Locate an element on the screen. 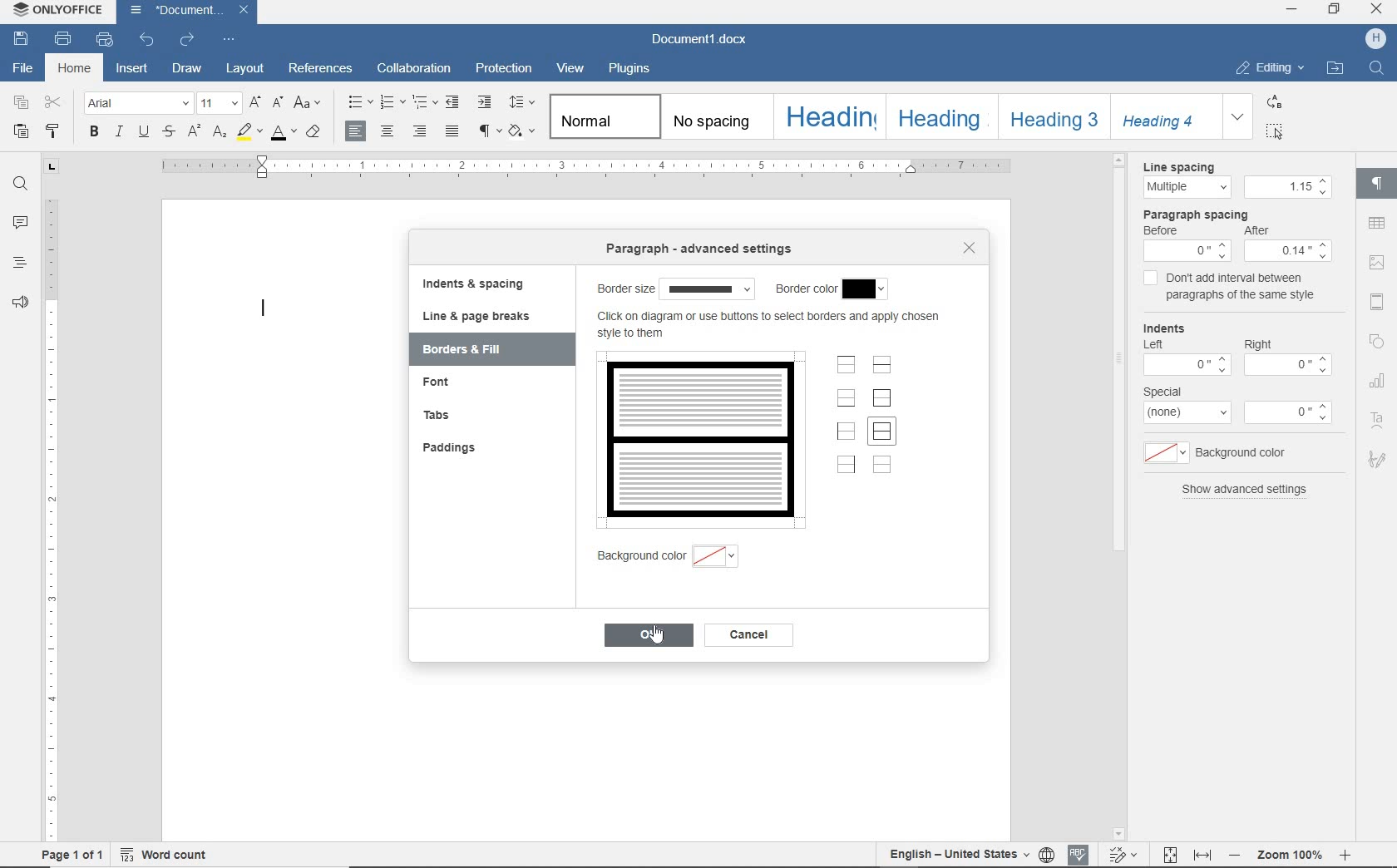  paste is located at coordinates (21, 131).